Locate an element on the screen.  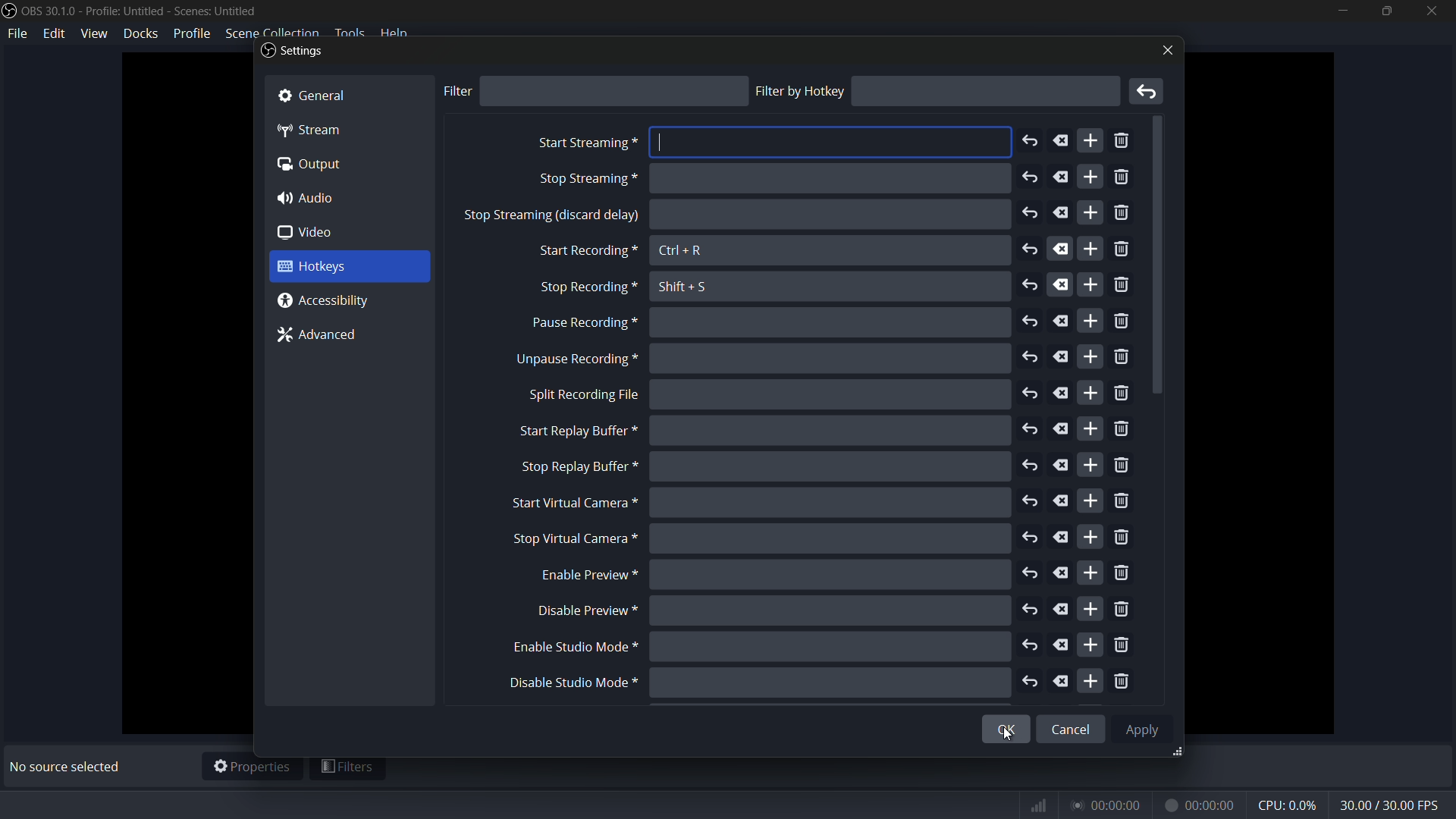
delete is located at coordinates (1059, 501).